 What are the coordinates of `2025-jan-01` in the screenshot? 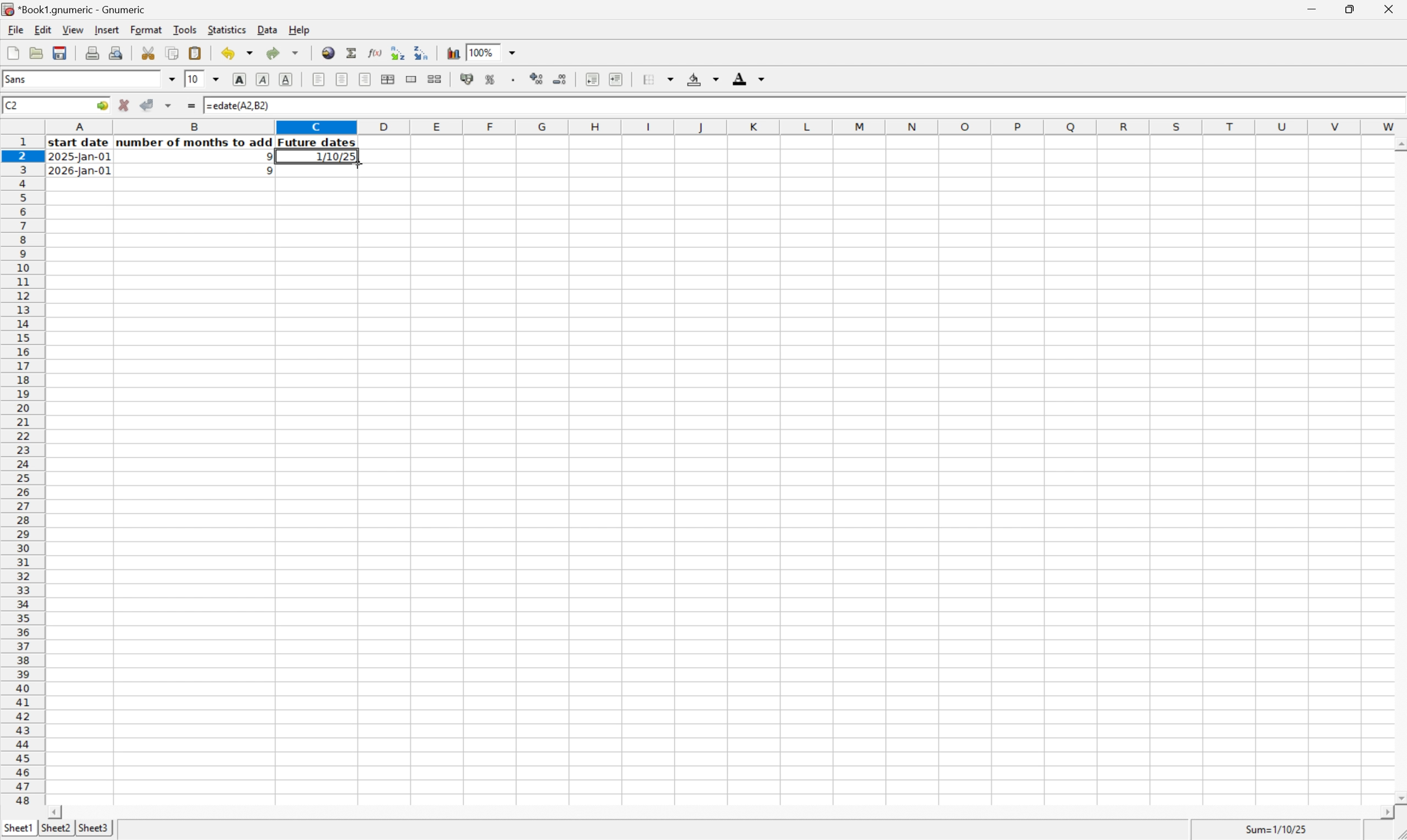 It's located at (81, 158).